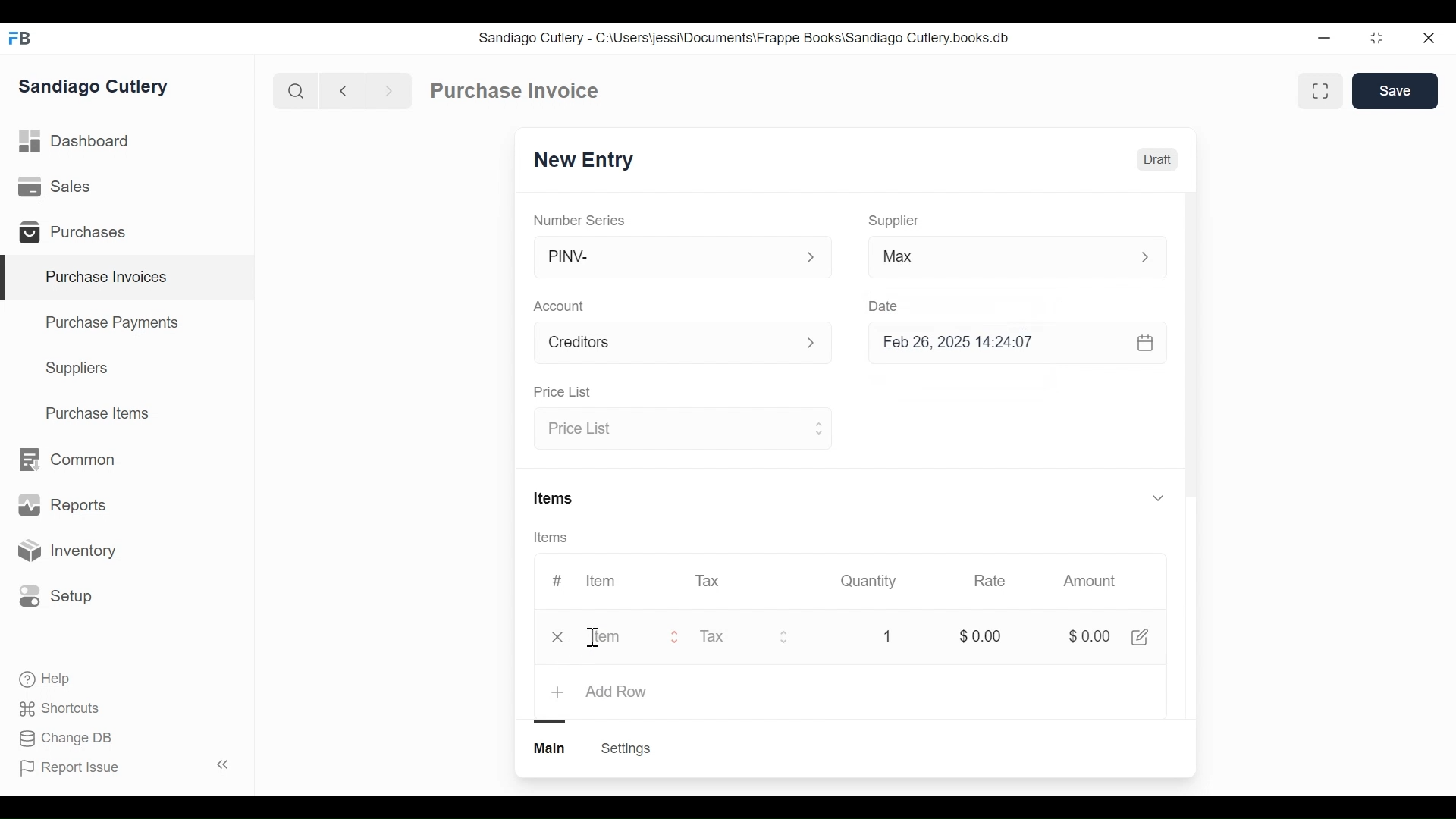 The height and width of the screenshot is (819, 1456). I want to click on $0.00, so click(981, 636).